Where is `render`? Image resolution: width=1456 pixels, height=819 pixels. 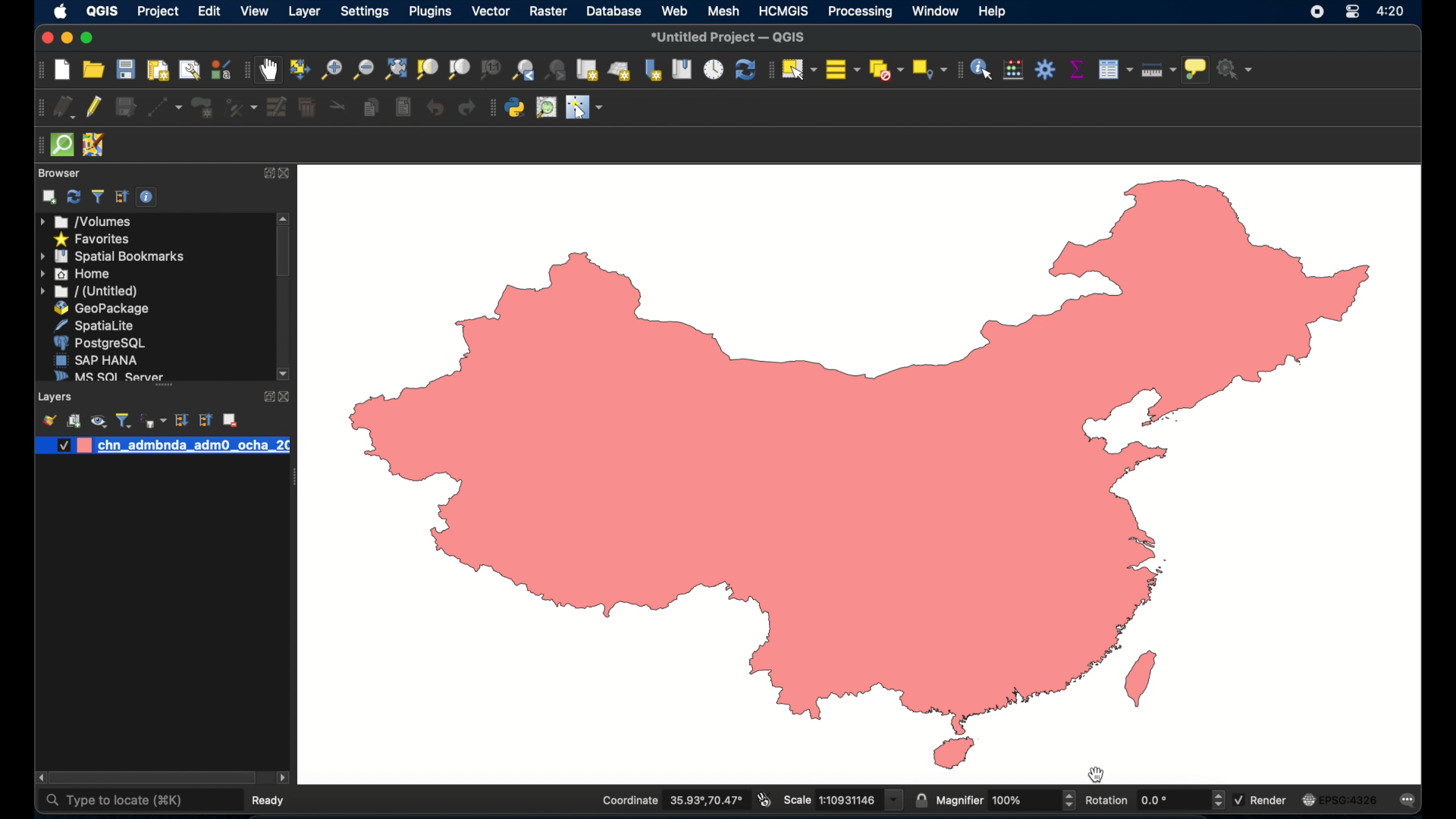 render is located at coordinates (1260, 799).